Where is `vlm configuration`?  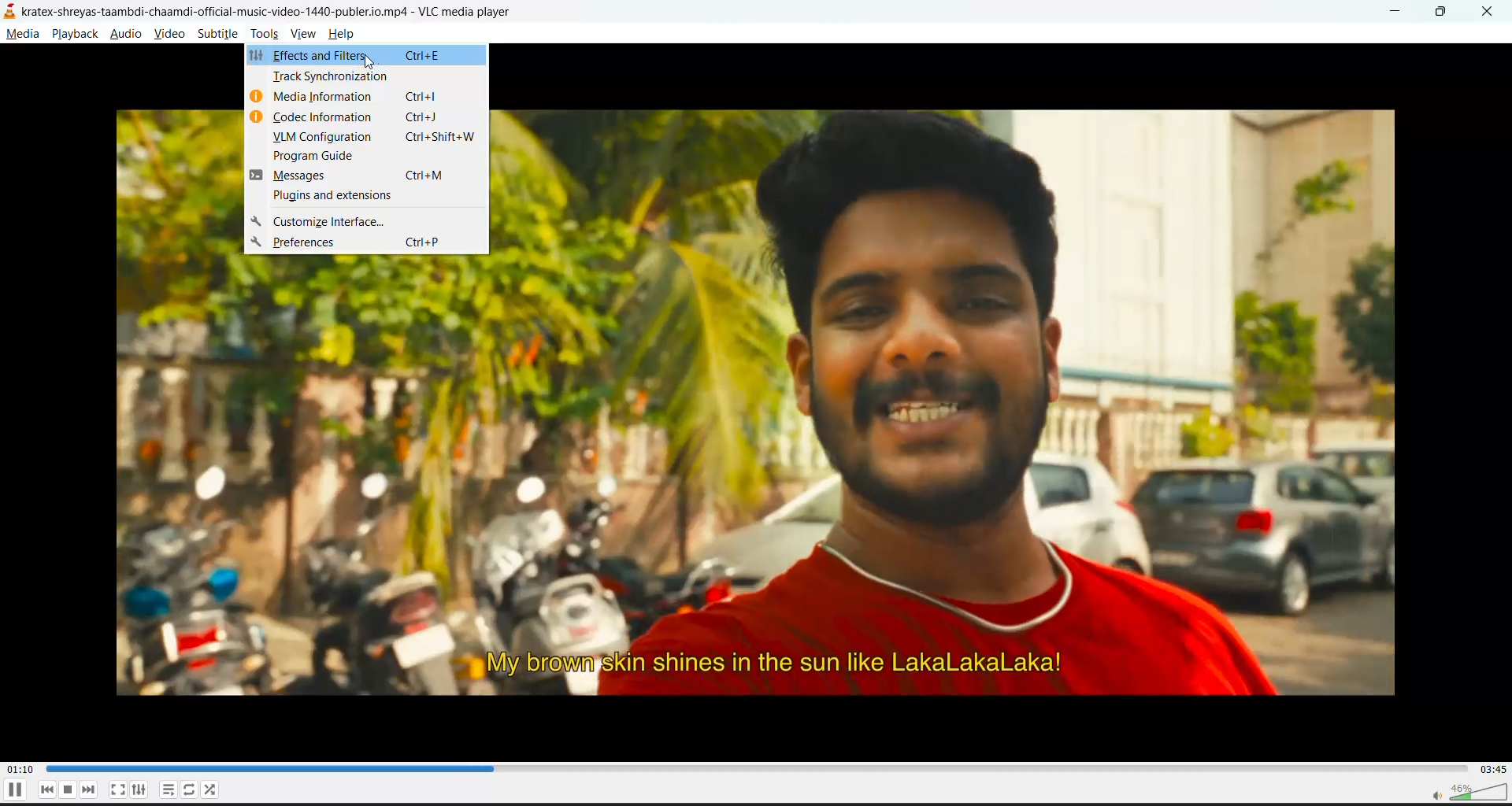 vlm configuration is located at coordinates (381, 139).